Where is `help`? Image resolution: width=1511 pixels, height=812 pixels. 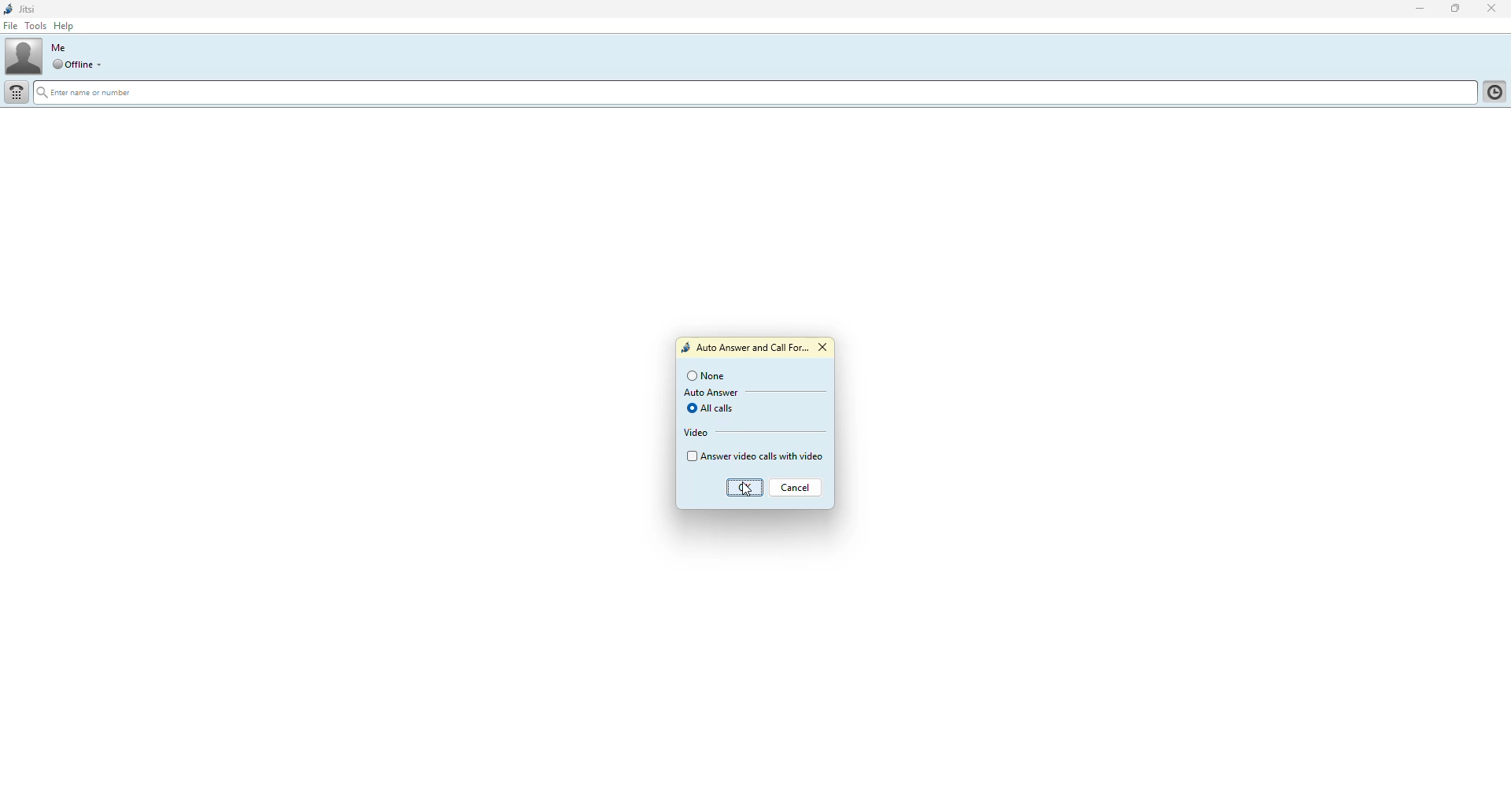 help is located at coordinates (65, 26).